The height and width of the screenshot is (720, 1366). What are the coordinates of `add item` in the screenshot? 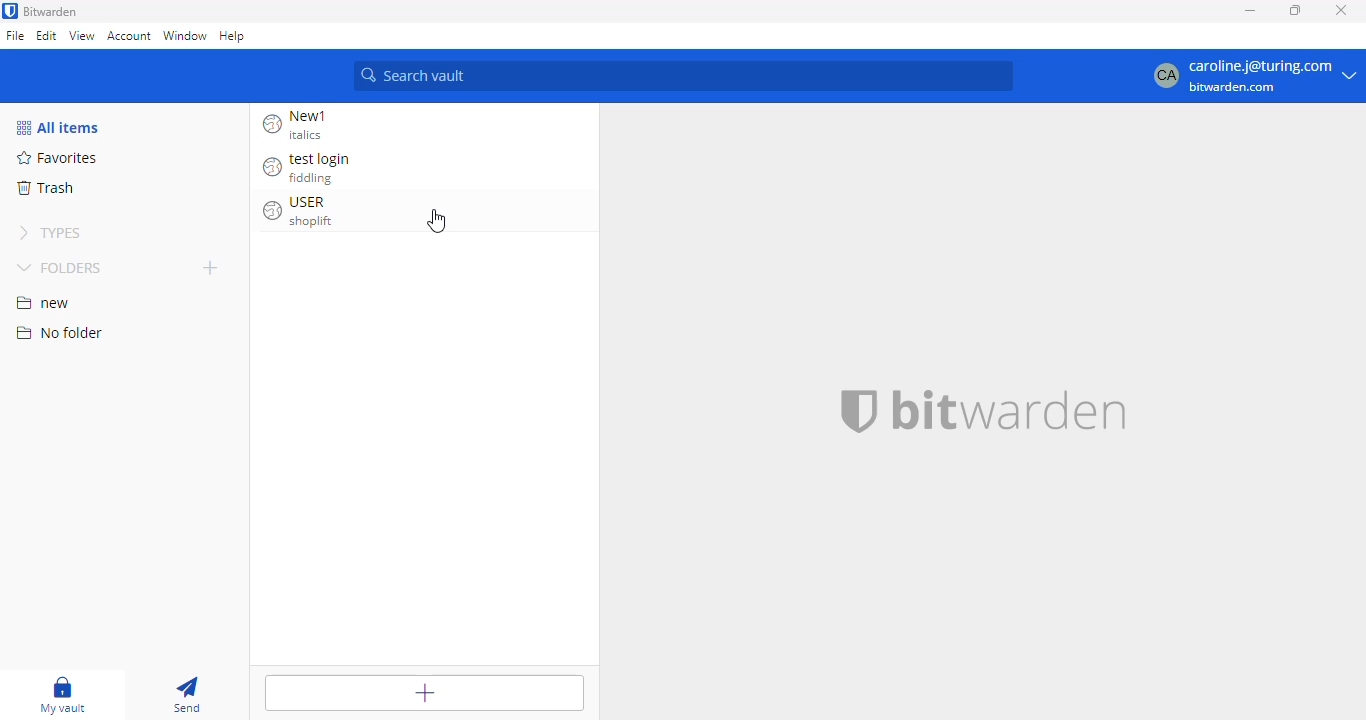 It's located at (425, 696).